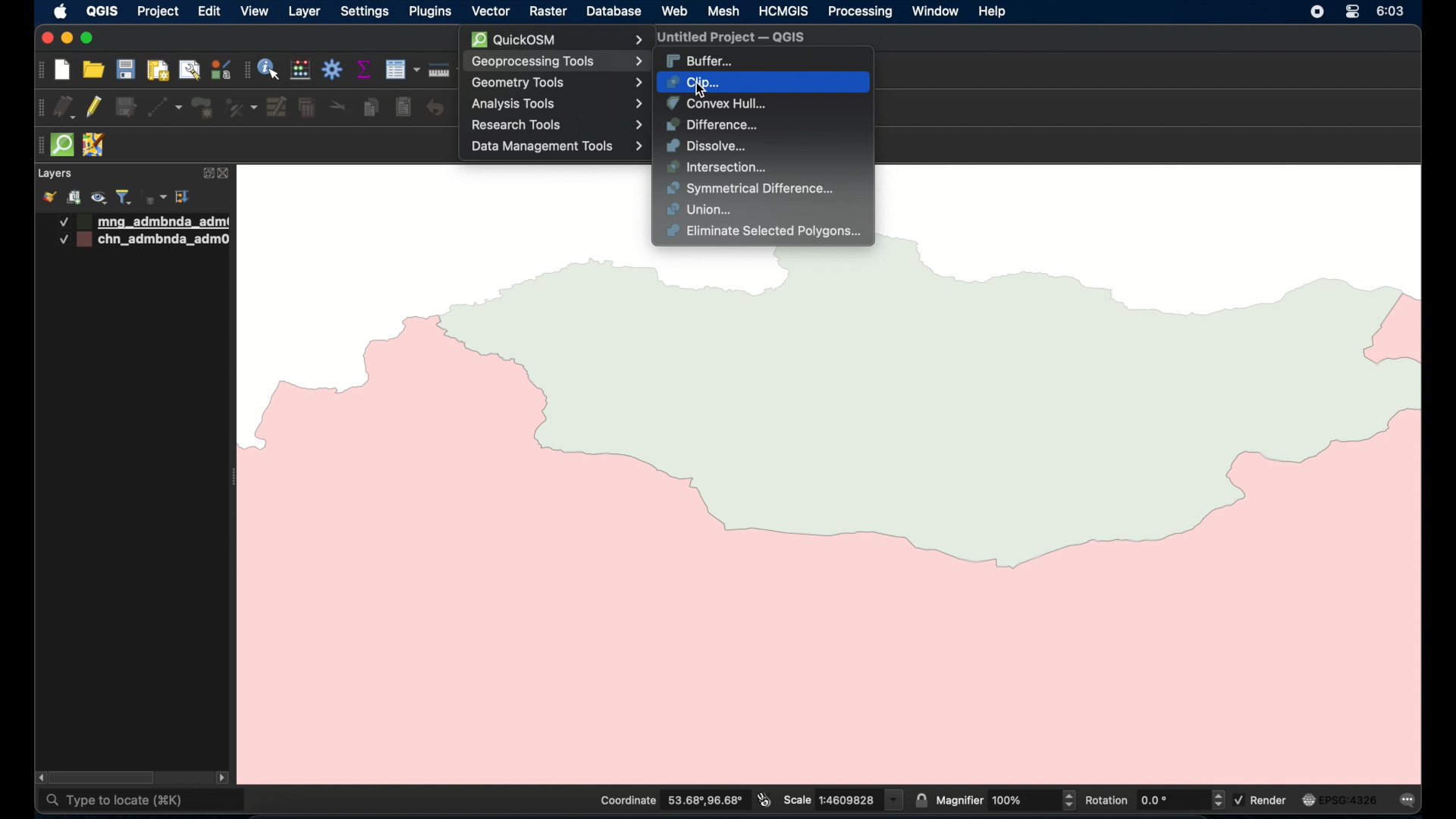 The image size is (1456, 819). What do you see at coordinates (555, 39) in the screenshot?
I see `` at bounding box center [555, 39].